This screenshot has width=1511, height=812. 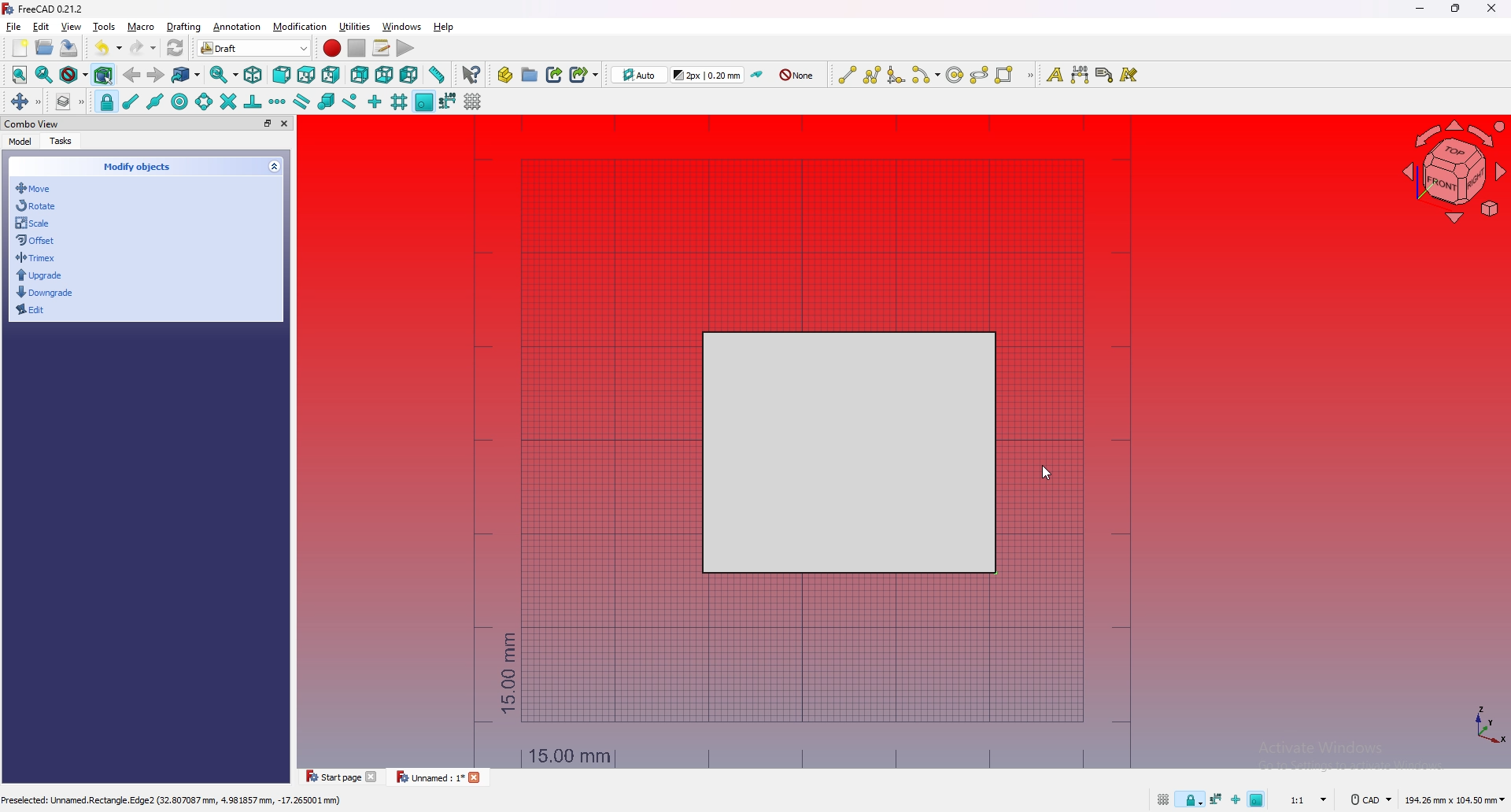 I want to click on upgrade, so click(x=39, y=275).